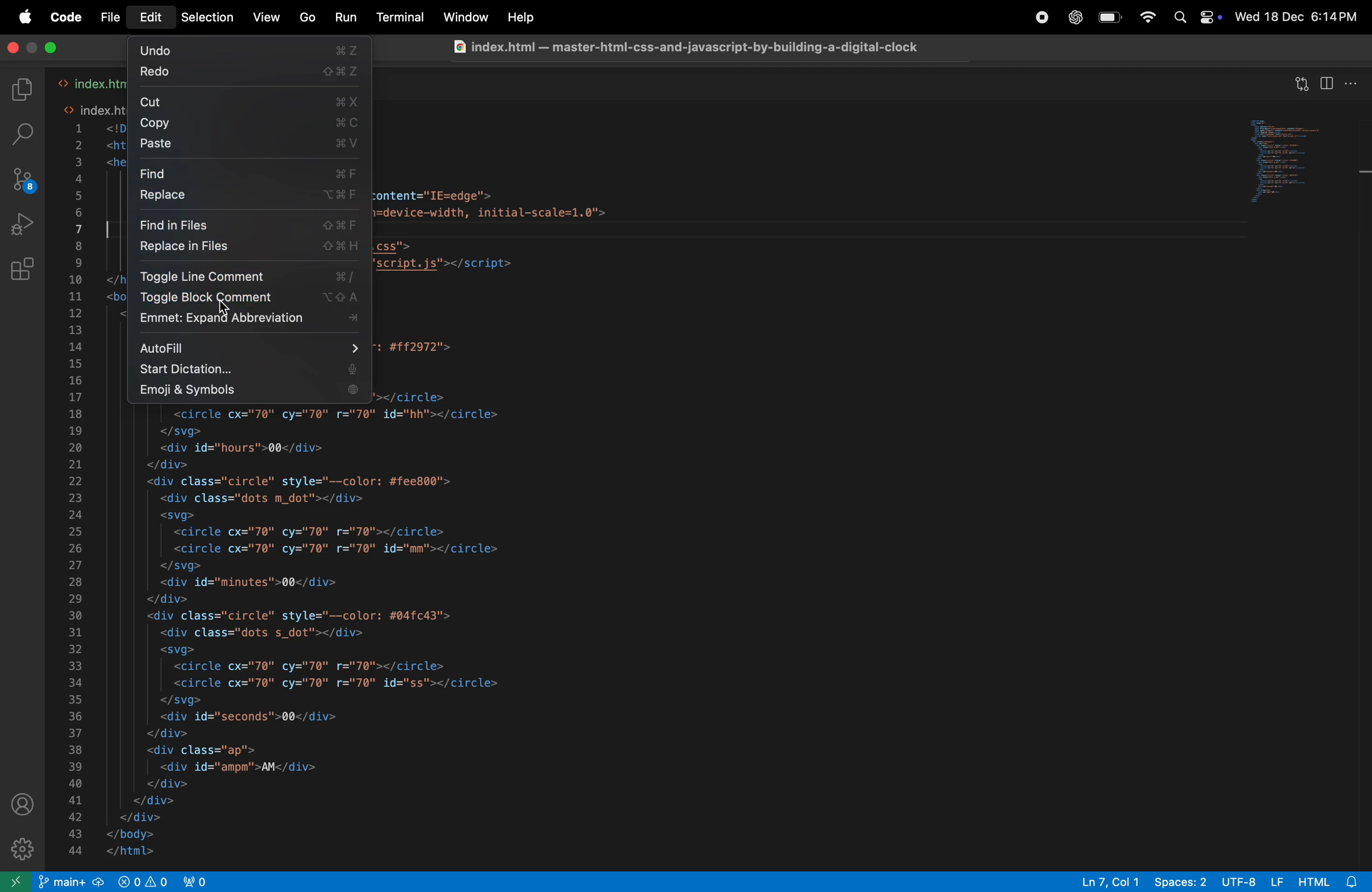 This screenshot has height=892, width=1372. What do you see at coordinates (1198, 18) in the screenshot?
I see `apple widgets` at bounding box center [1198, 18].